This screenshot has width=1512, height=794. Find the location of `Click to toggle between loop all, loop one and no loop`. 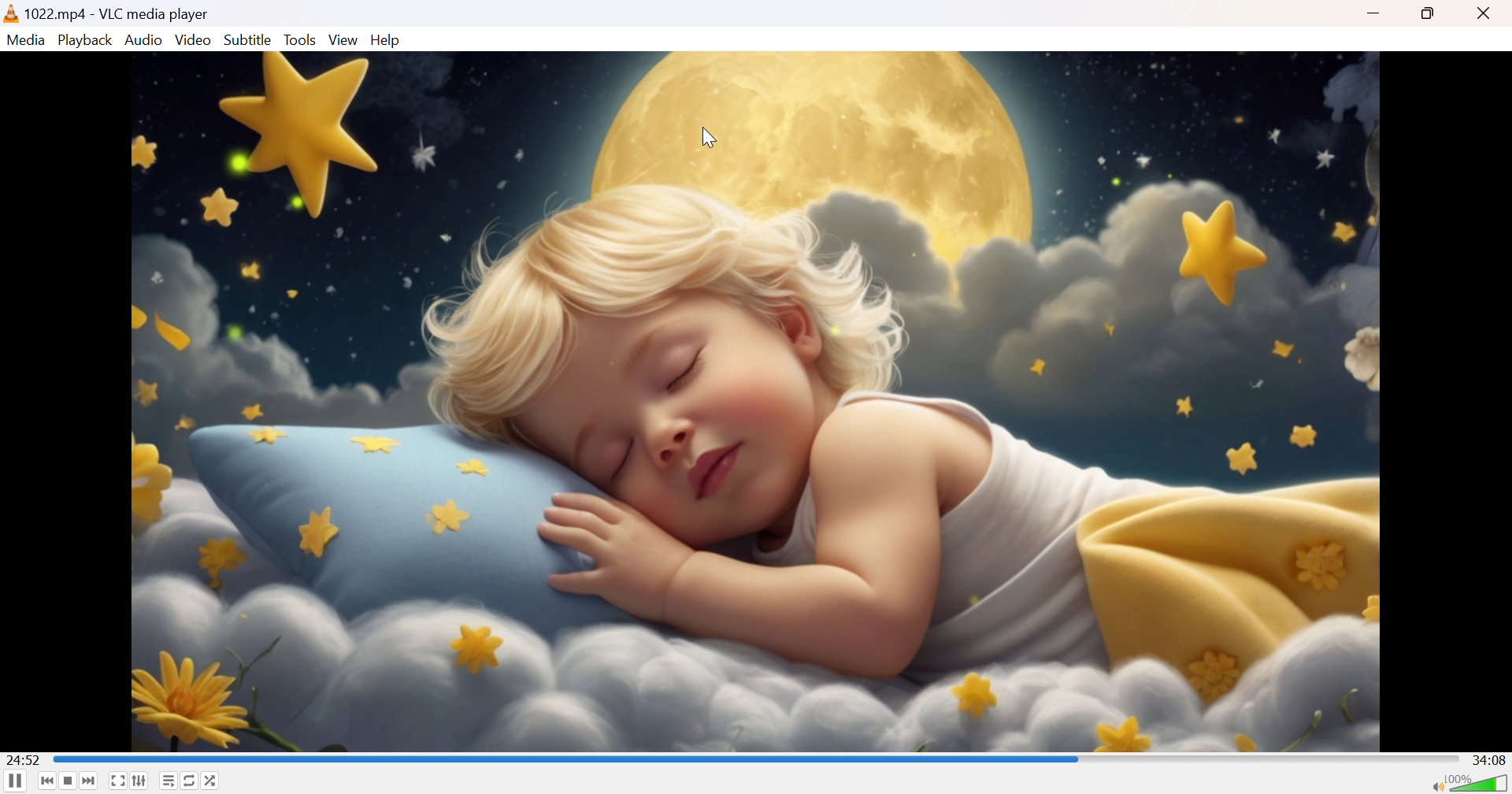

Click to toggle between loop all, loop one and no loop is located at coordinates (190, 781).